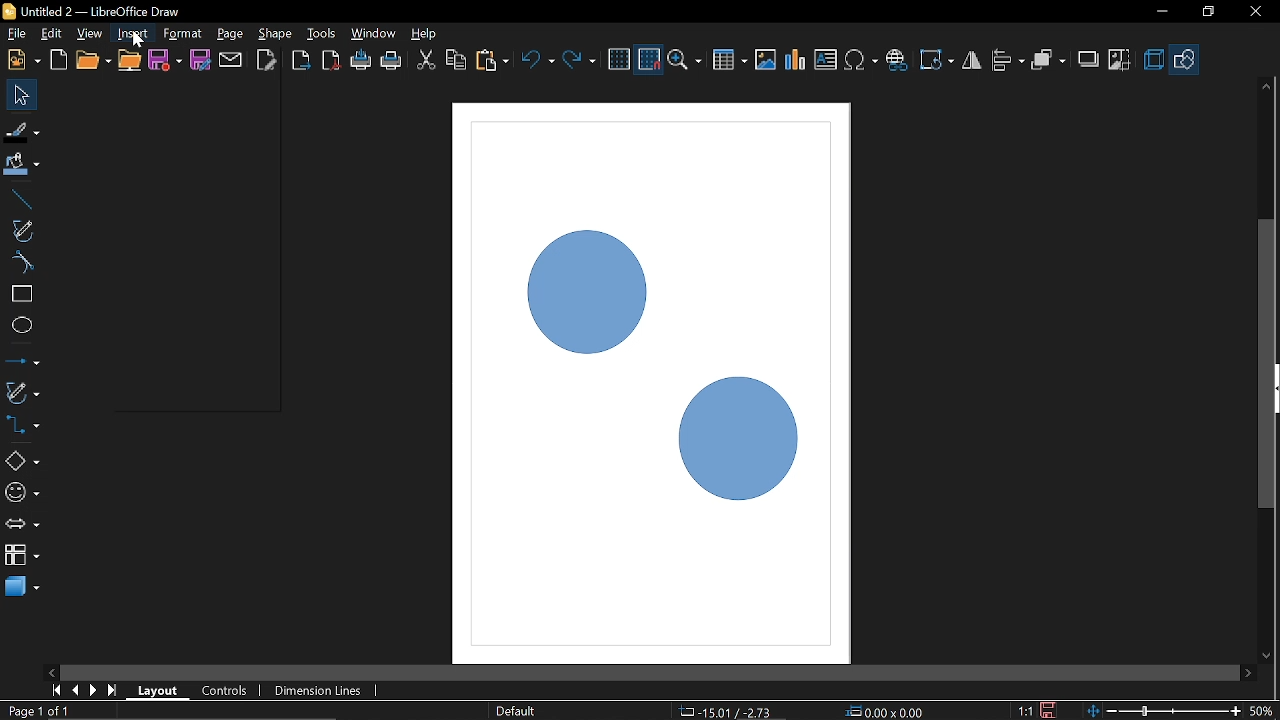 The height and width of the screenshot is (720, 1280). I want to click on  arrow shapes, so click(22, 526).